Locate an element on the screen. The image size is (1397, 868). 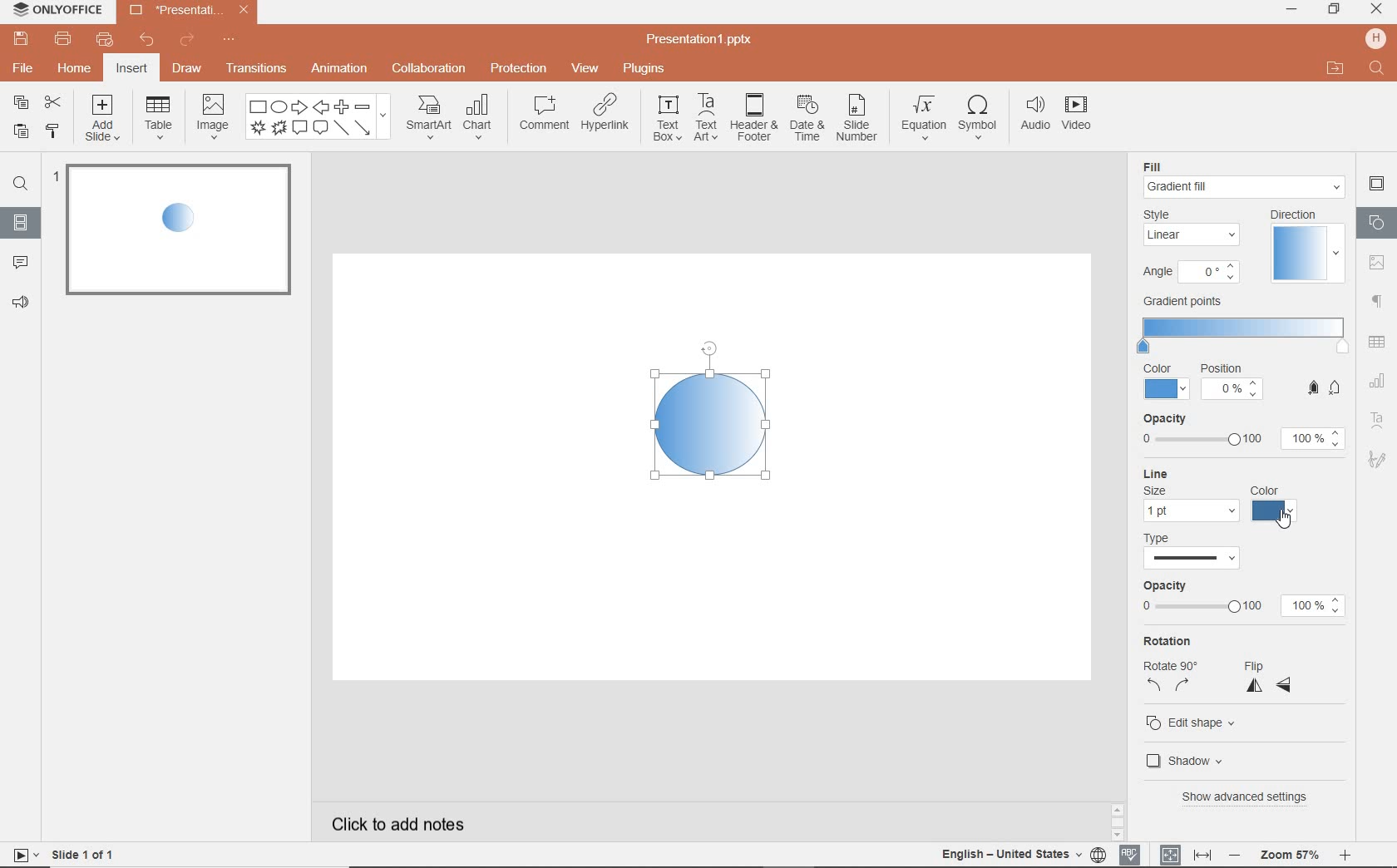
EDIT SHAPE is located at coordinates (1194, 721).